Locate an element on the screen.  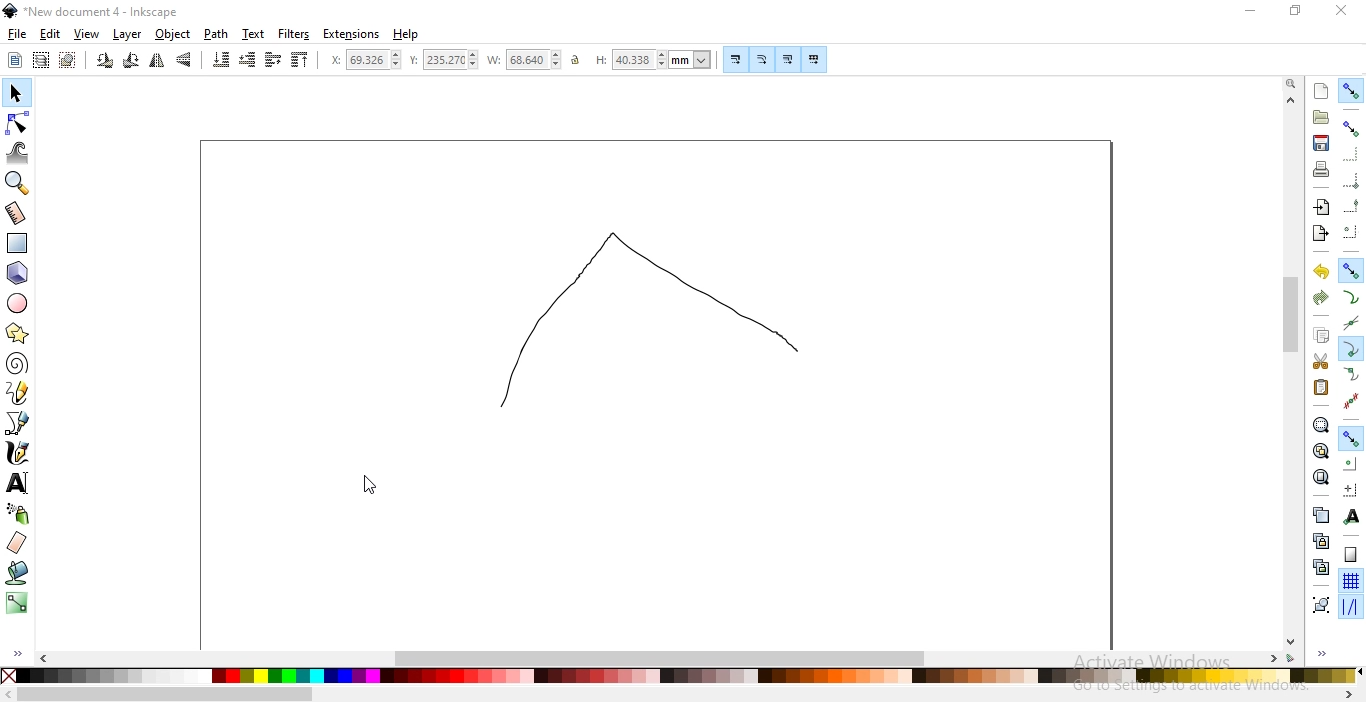
create rectangles and squares is located at coordinates (16, 243).